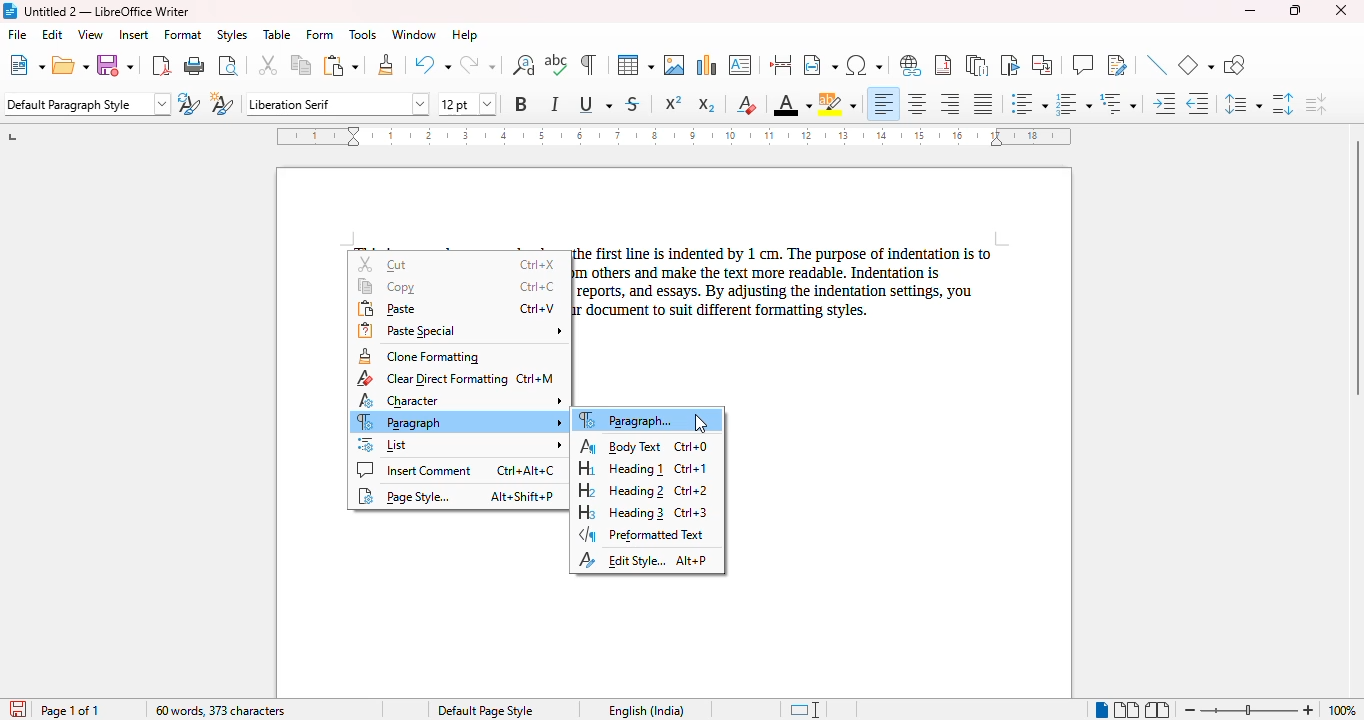 Image resolution: width=1364 pixels, height=720 pixels. I want to click on zoom slider, so click(1251, 709).